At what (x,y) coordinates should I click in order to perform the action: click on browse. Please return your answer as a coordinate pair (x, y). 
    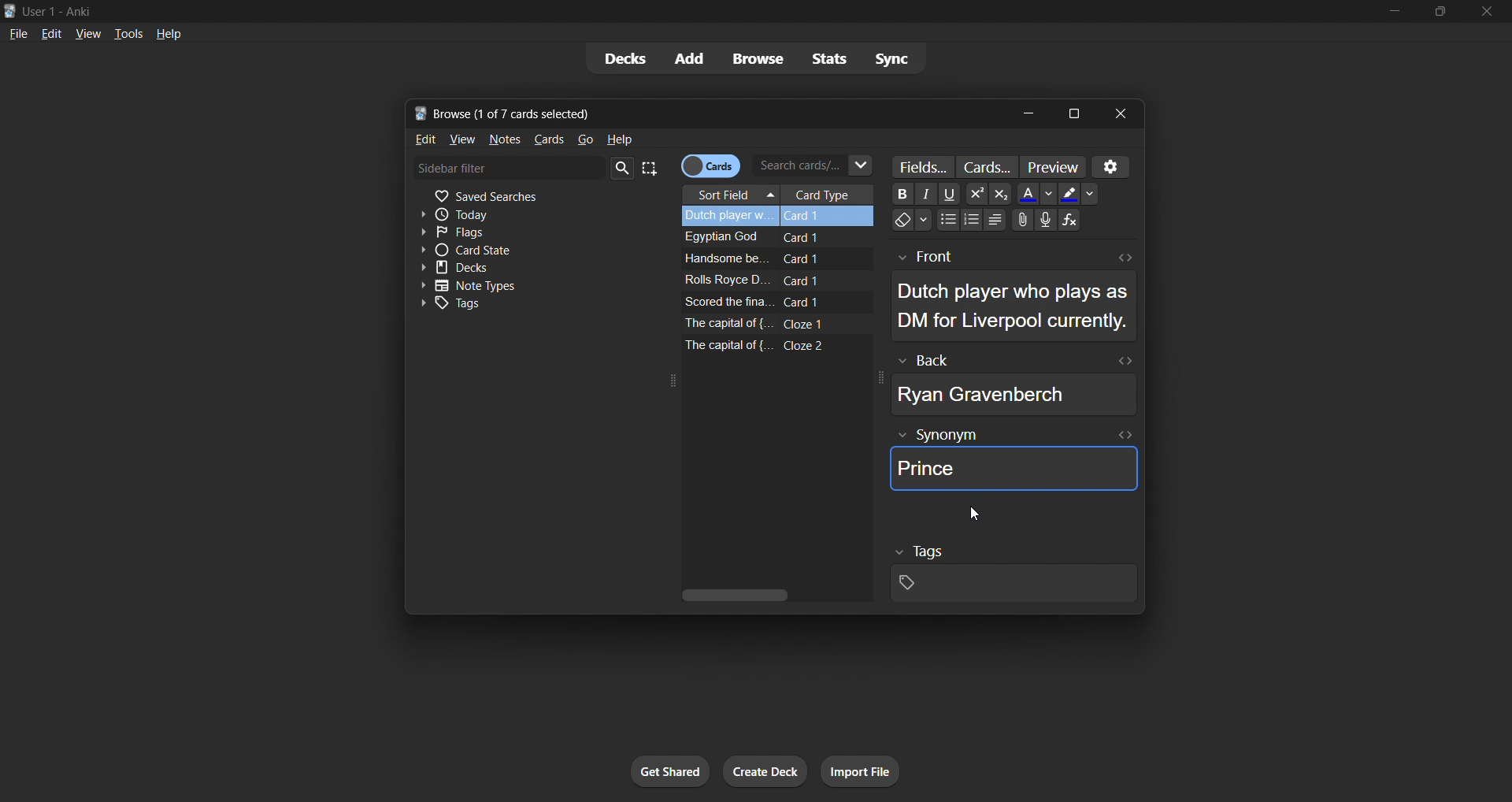
    Looking at the image, I should click on (757, 60).